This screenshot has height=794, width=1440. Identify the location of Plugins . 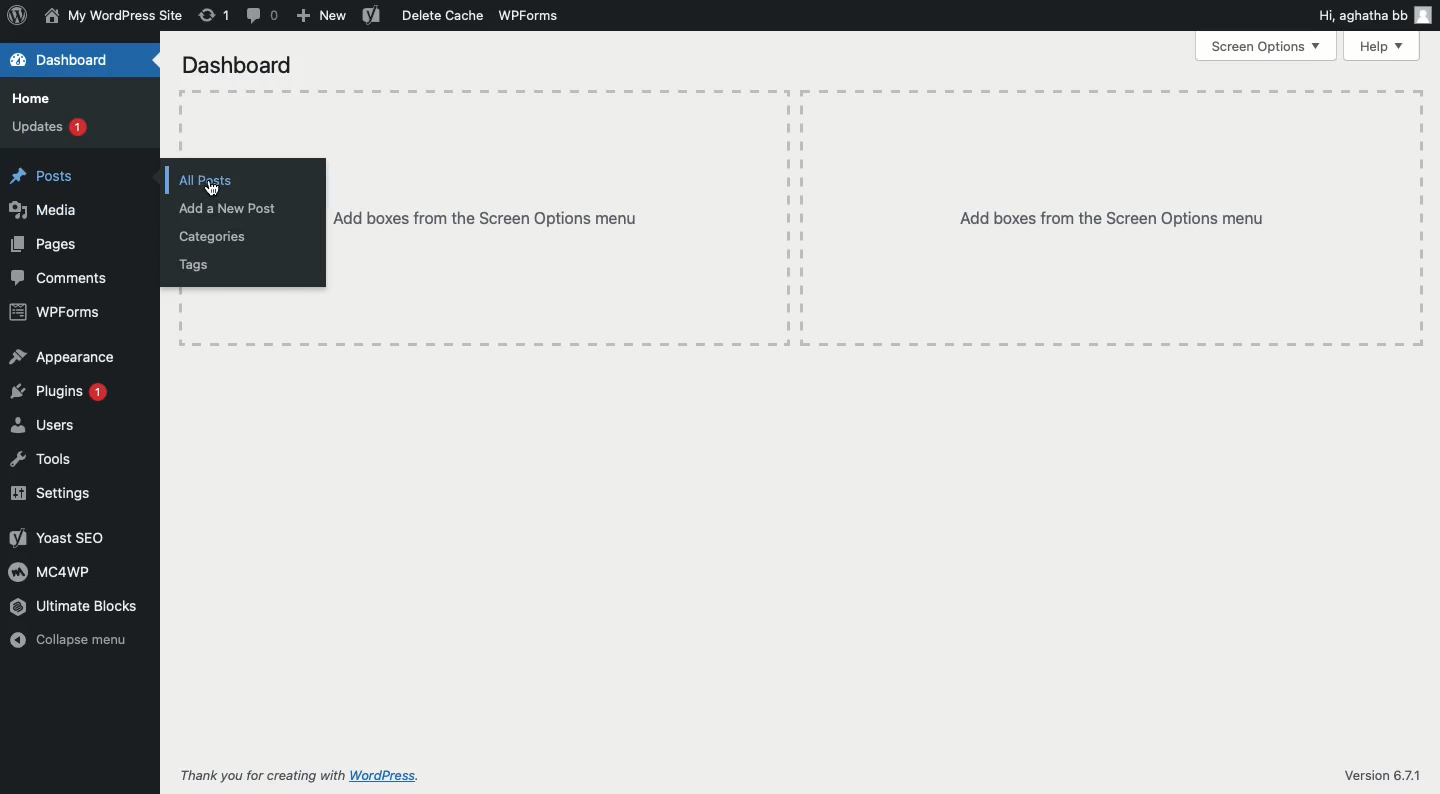
(65, 390).